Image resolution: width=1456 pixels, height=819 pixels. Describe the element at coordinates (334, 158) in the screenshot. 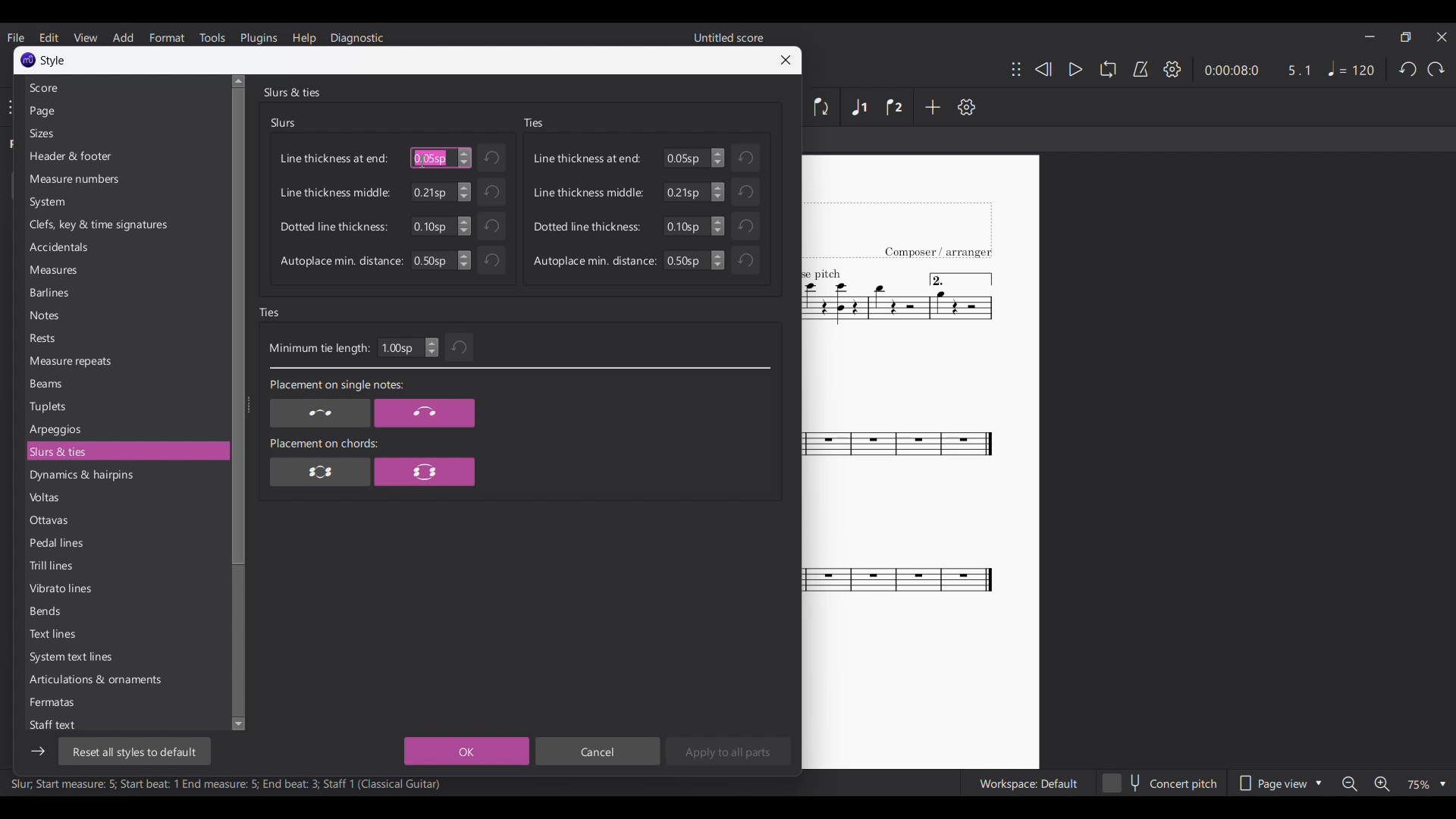

I see `Line thickness at end` at that location.